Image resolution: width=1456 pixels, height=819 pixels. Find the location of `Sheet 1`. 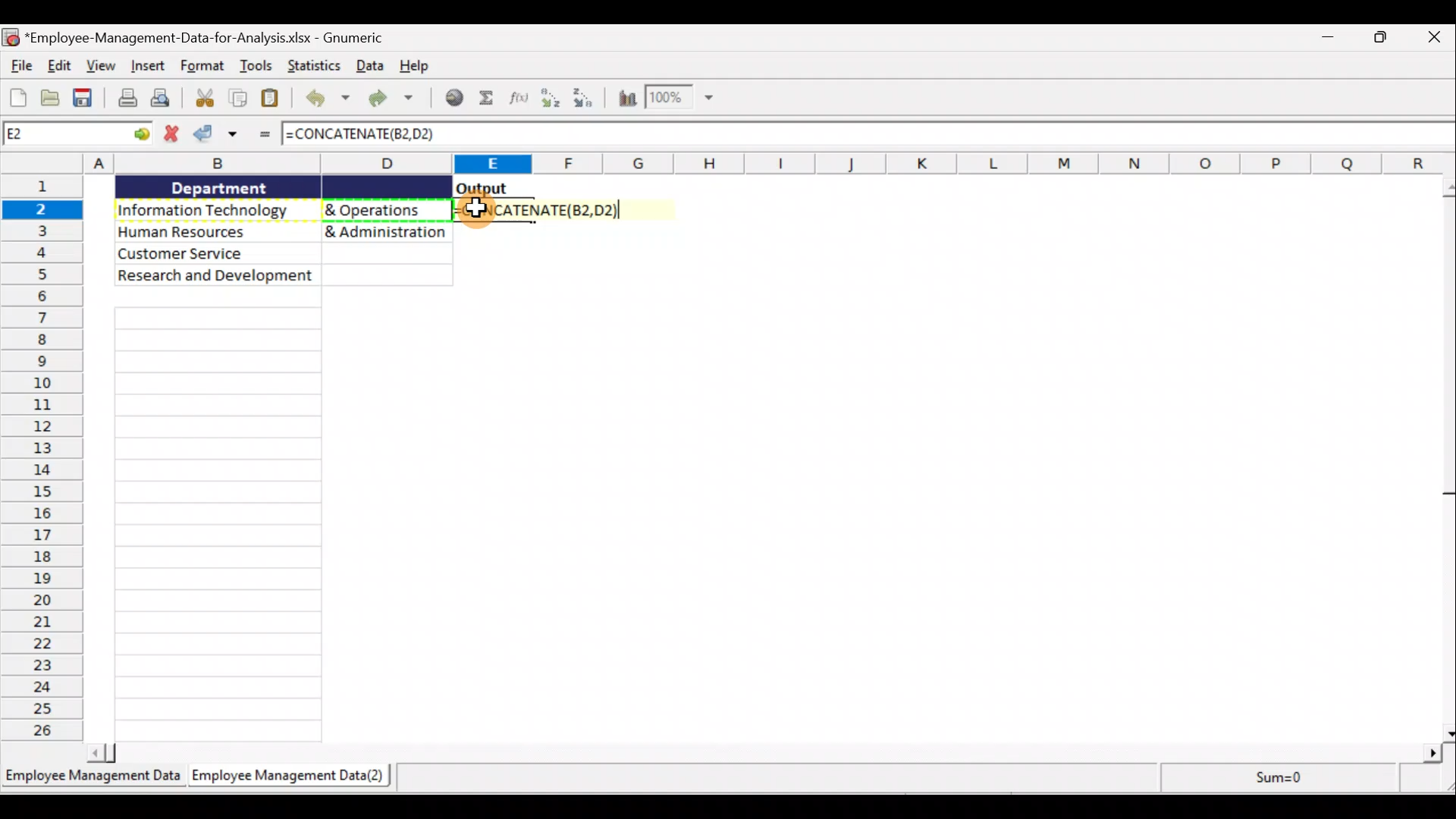

Sheet 1 is located at coordinates (94, 781).